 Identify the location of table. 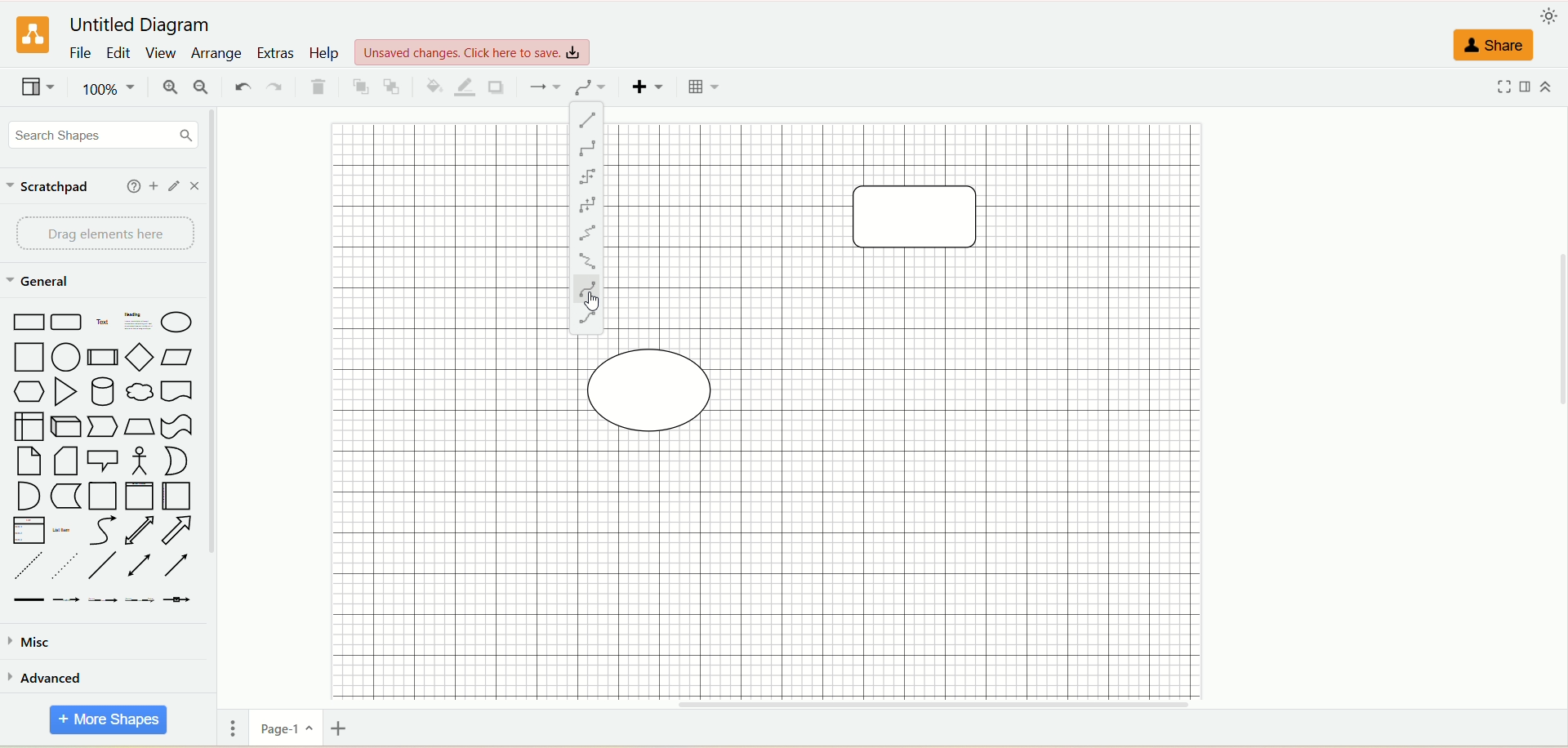
(702, 87).